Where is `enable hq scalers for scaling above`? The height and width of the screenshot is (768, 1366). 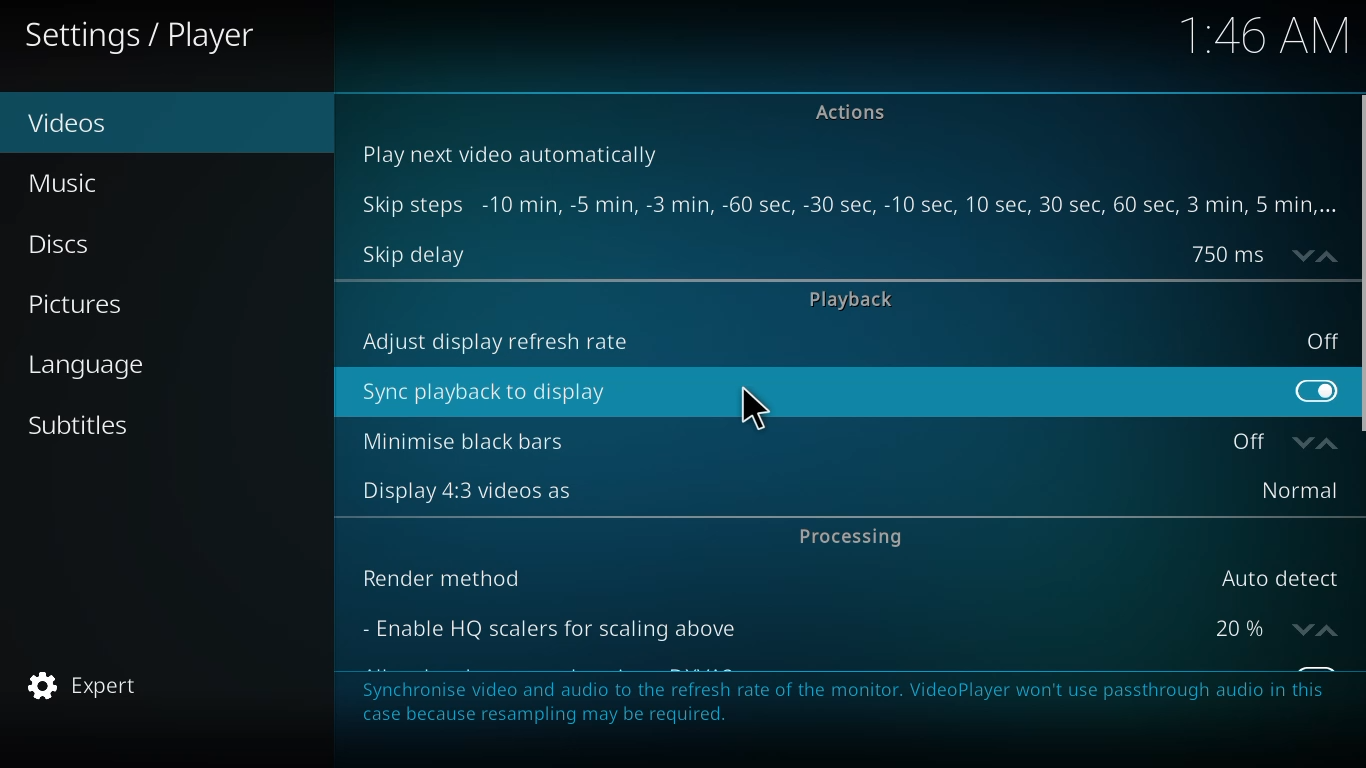
enable hq scalers for scaling above is located at coordinates (548, 627).